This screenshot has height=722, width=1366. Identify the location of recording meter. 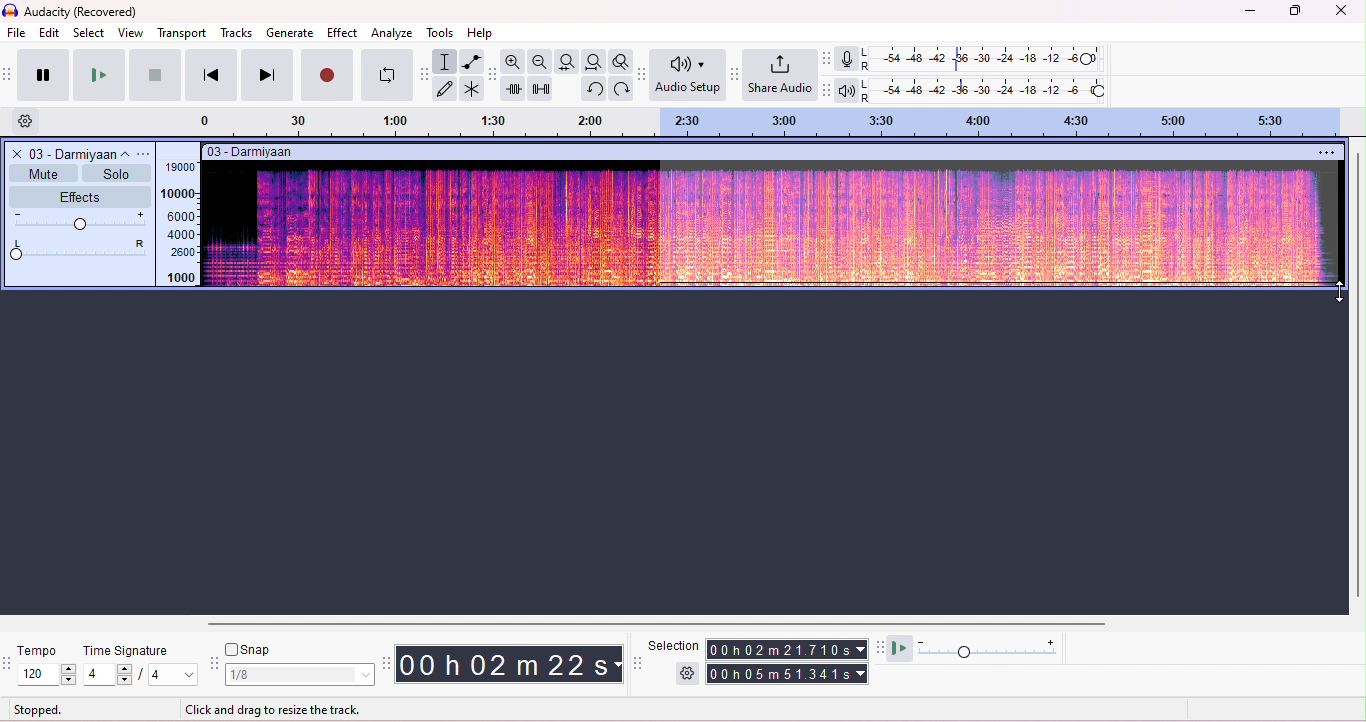
(848, 59).